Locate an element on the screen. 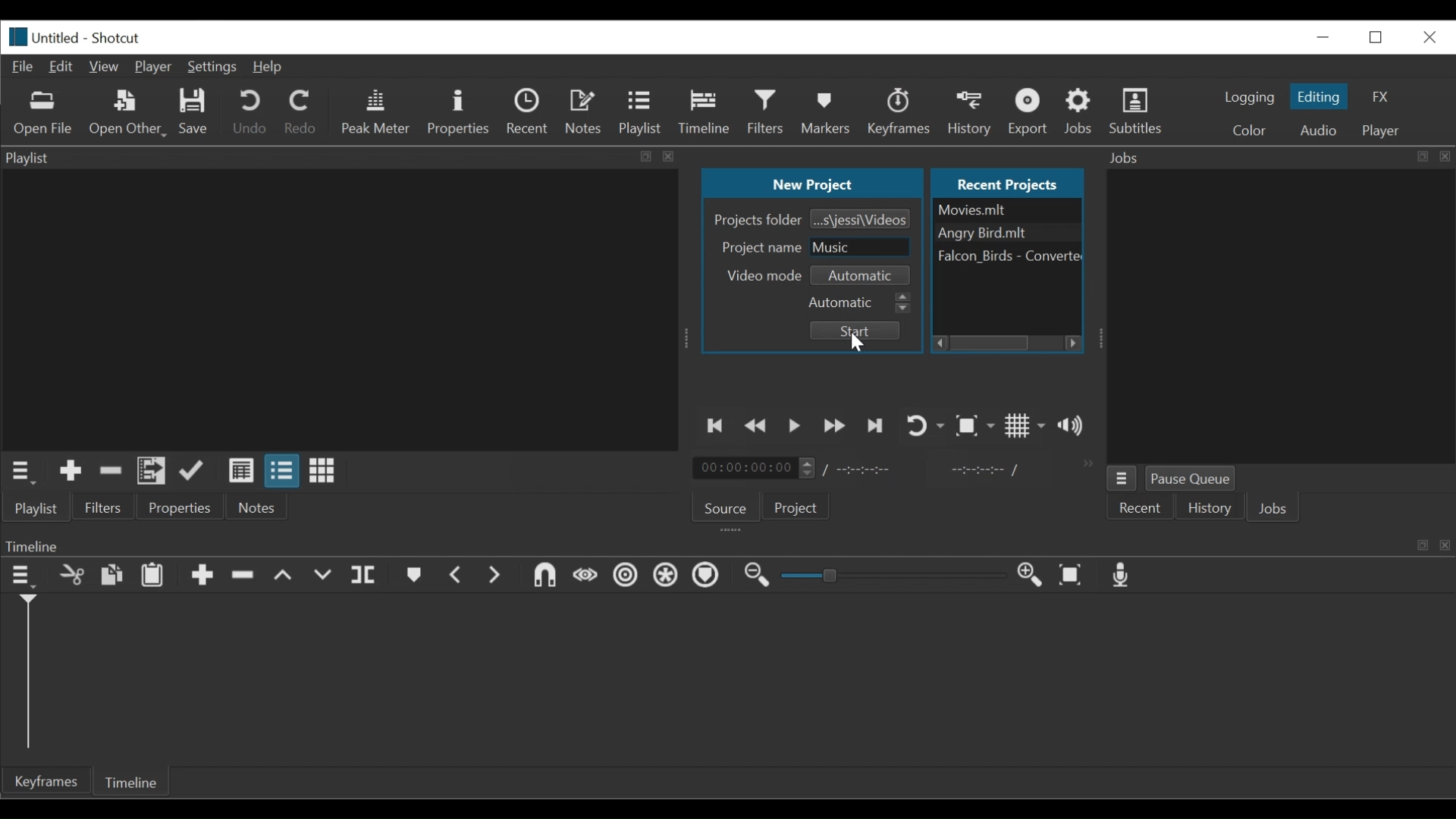 Image resolution: width=1456 pixels, height=819 pixels. Timeline is located at coordinates (134, 782).